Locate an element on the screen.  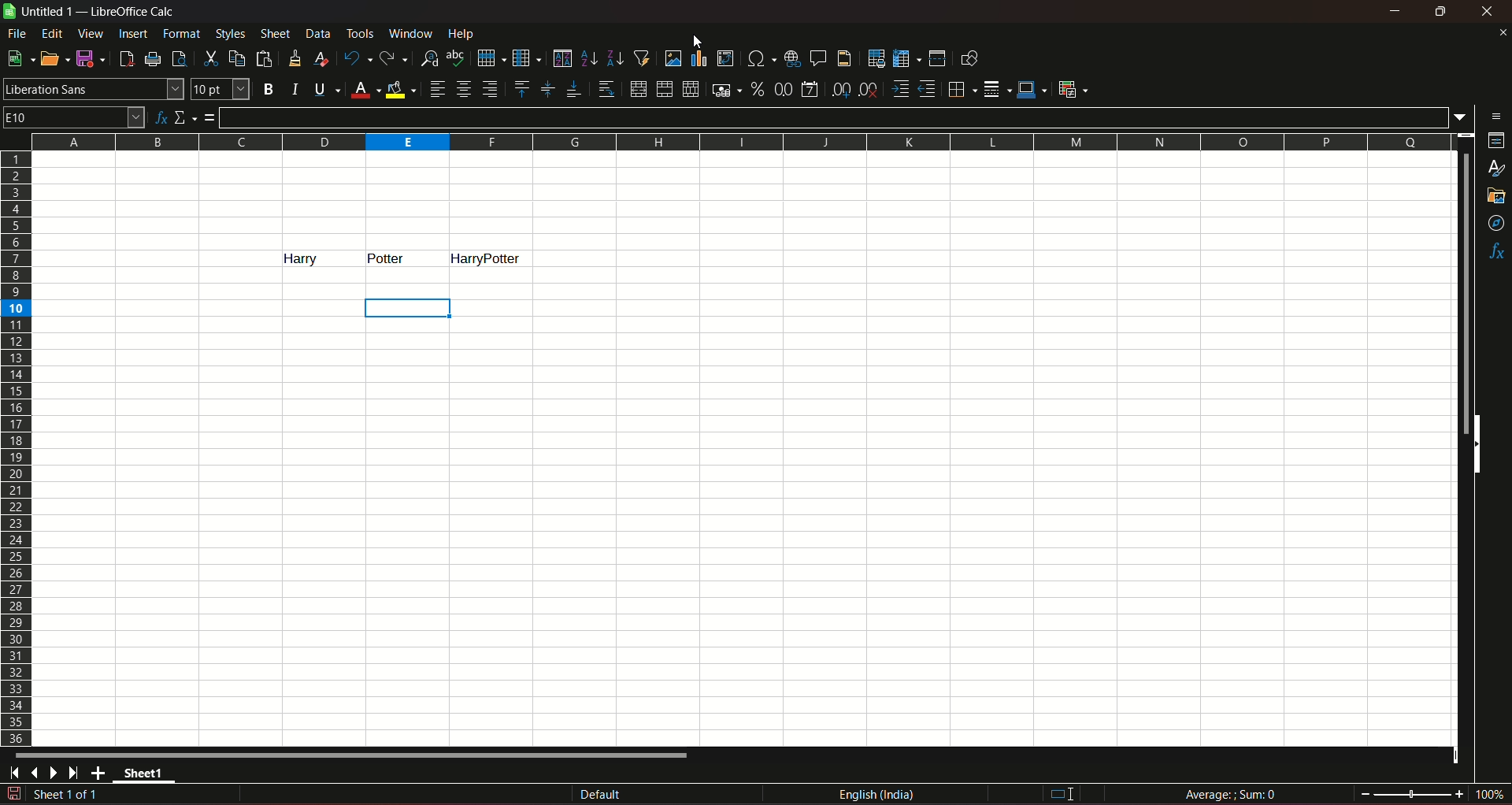
merge and center is located at coordinates (637, 89).